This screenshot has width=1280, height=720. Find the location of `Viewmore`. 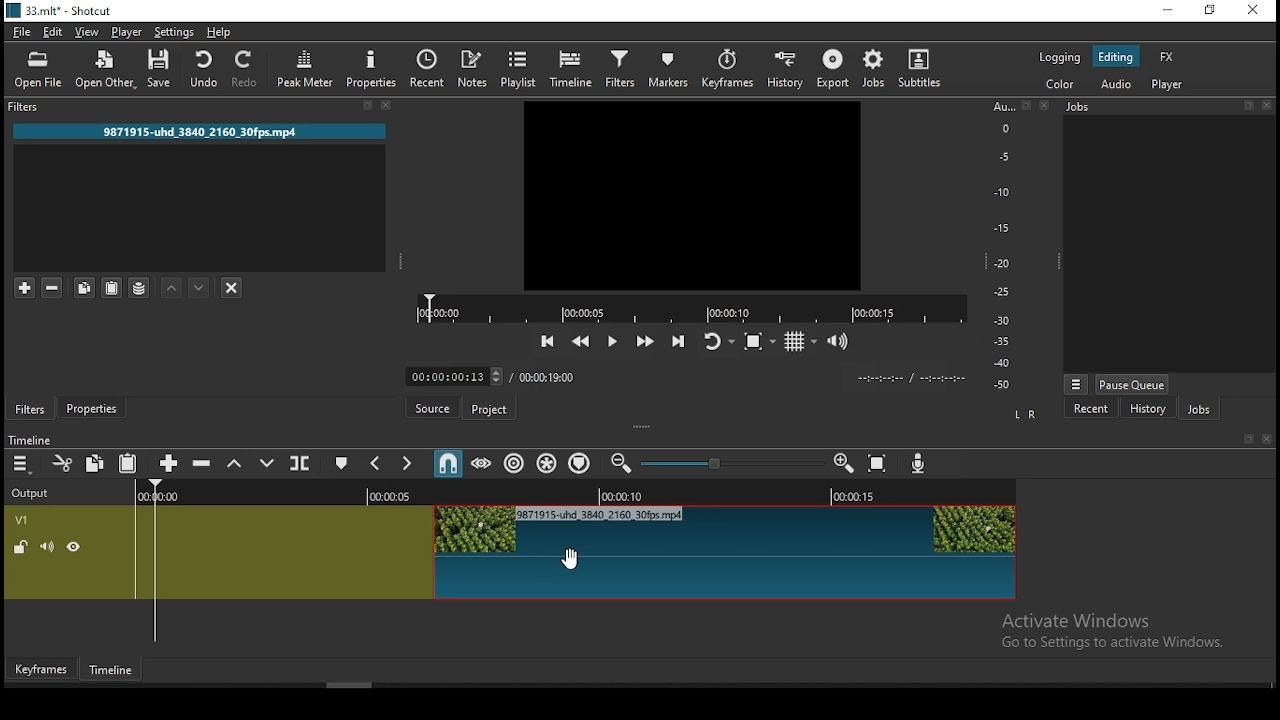

Viewmore is located at coordinates (1078, 384).